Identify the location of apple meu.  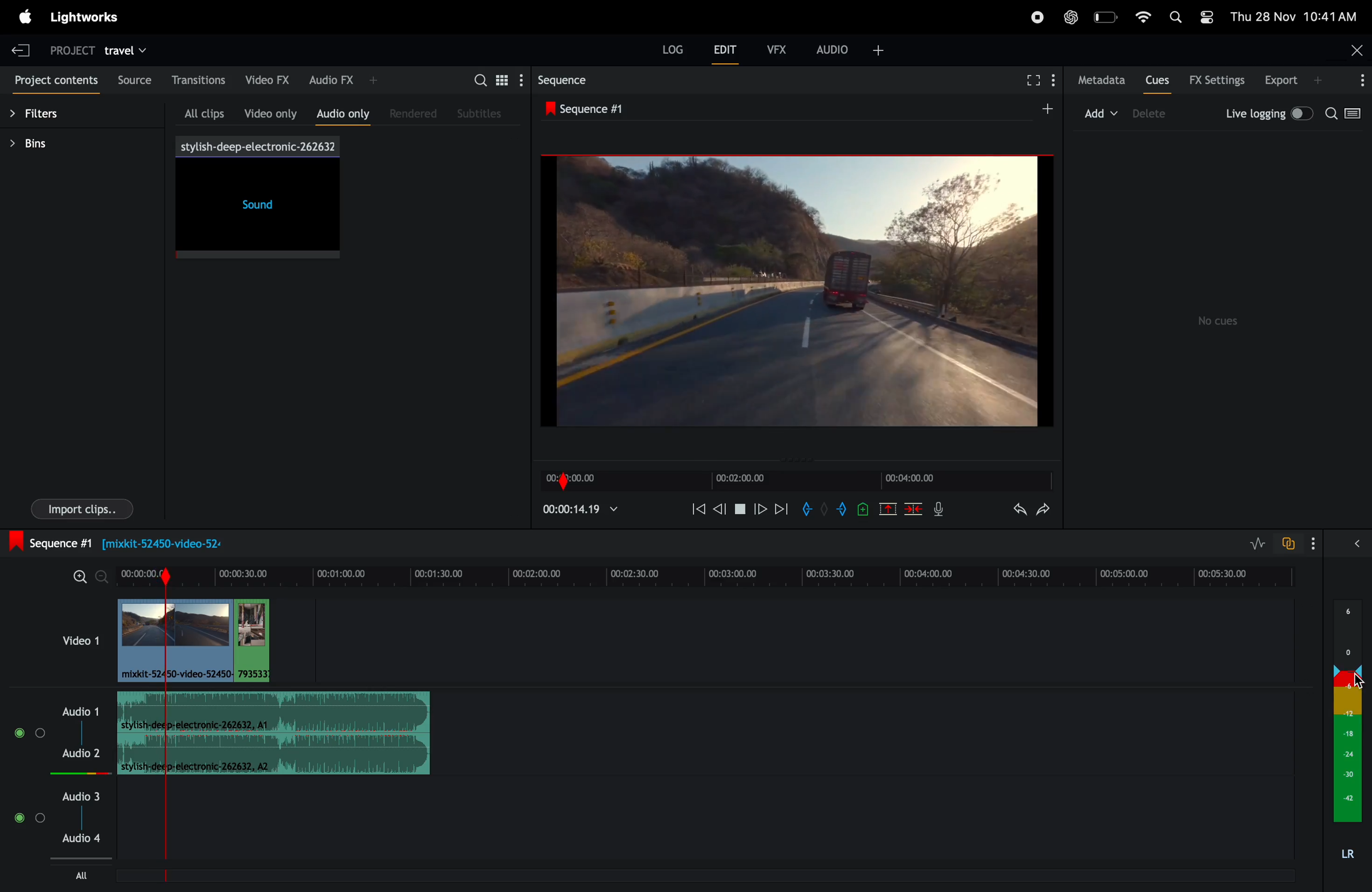
(25, 18).